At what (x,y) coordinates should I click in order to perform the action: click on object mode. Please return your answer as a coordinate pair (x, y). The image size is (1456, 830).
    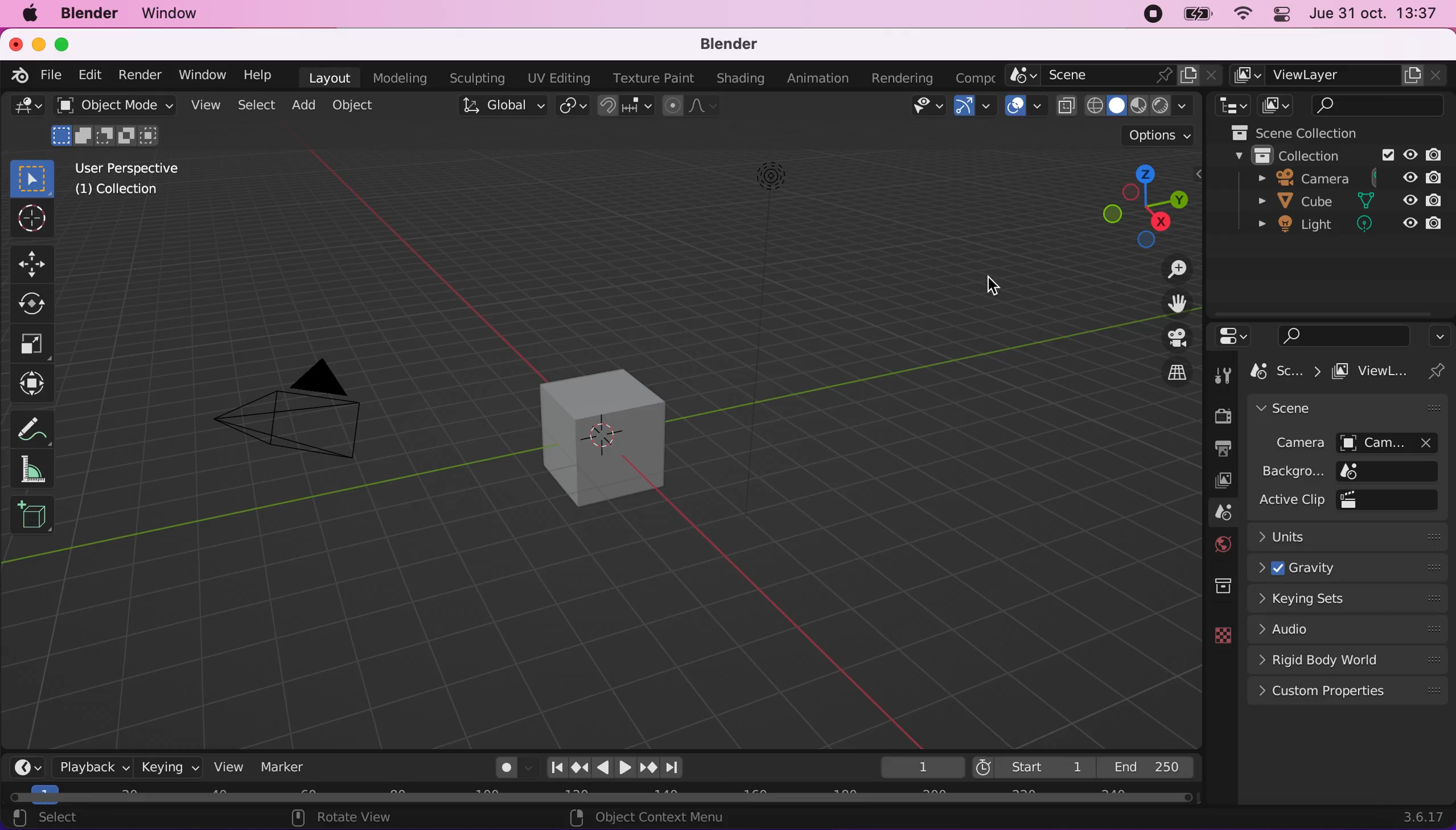
    Looking at the image, I should click on (111, 125).